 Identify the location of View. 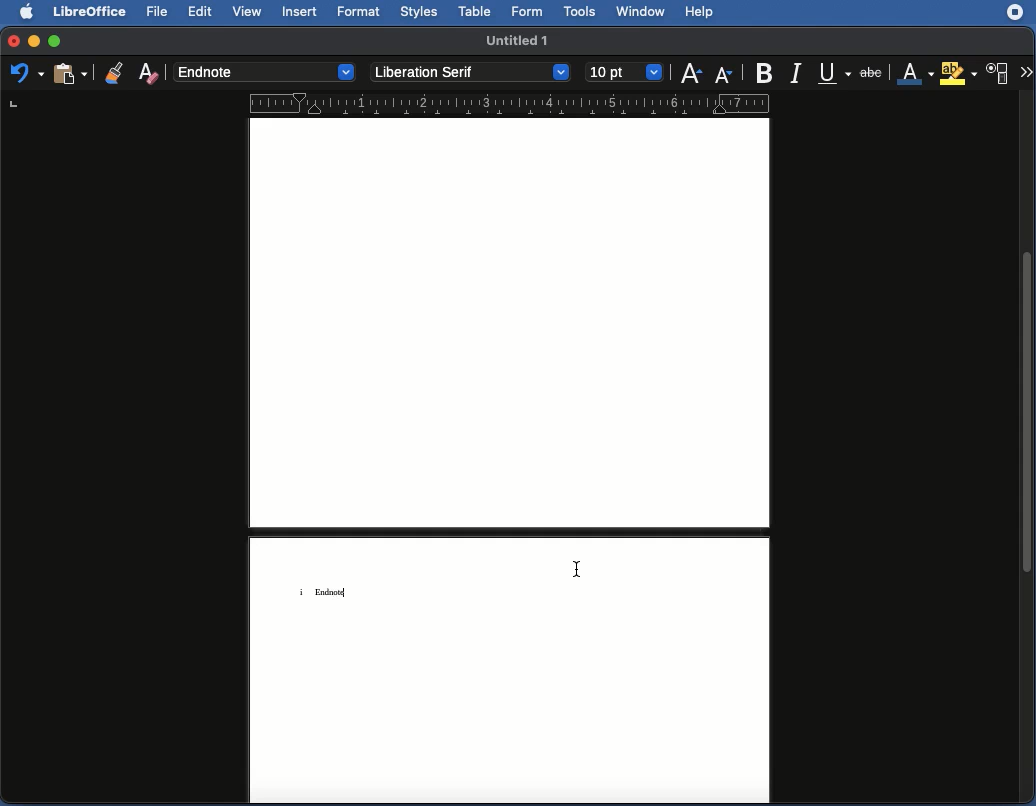
(247, 12).